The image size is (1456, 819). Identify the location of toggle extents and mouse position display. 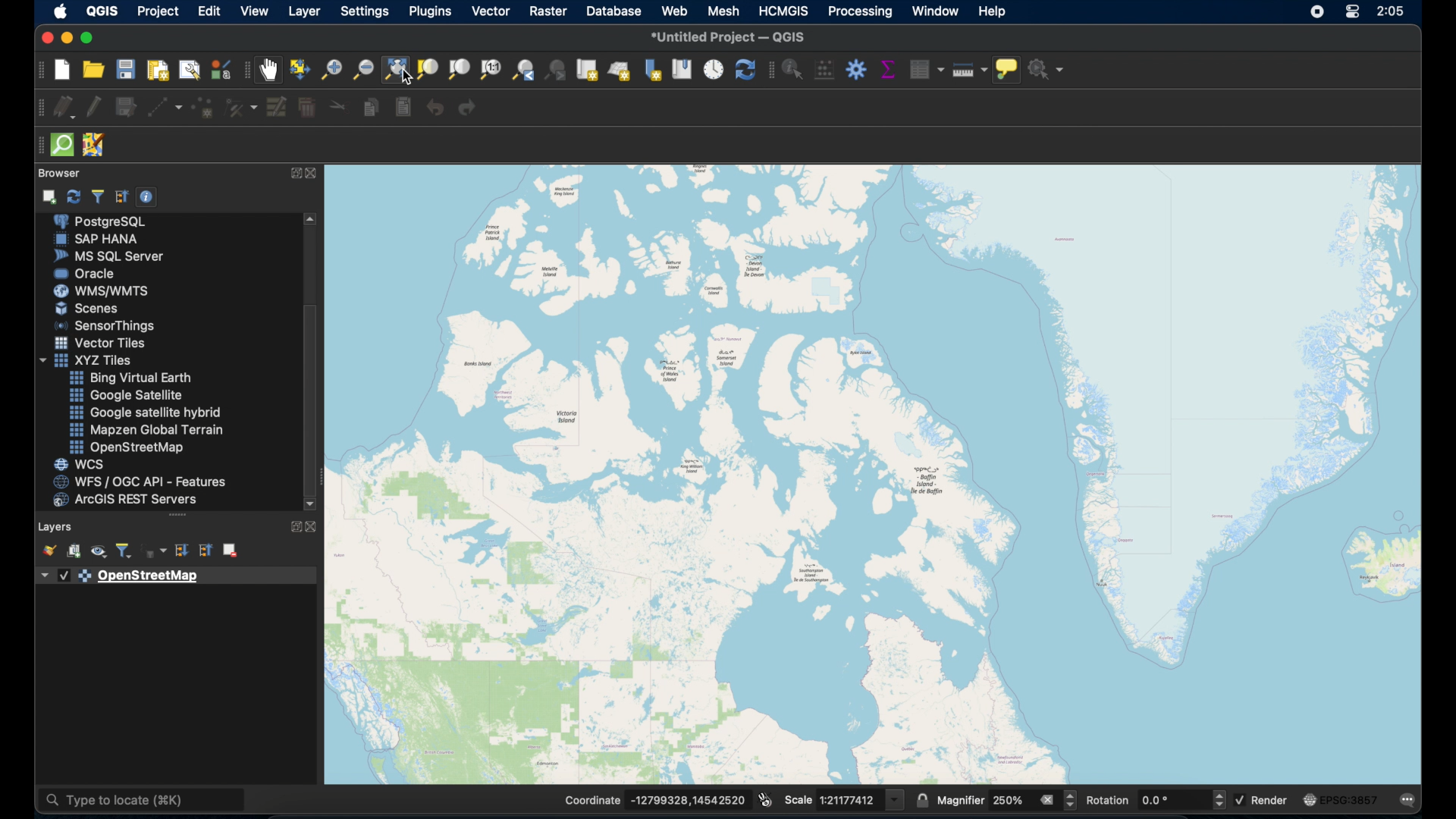
(766, 799).